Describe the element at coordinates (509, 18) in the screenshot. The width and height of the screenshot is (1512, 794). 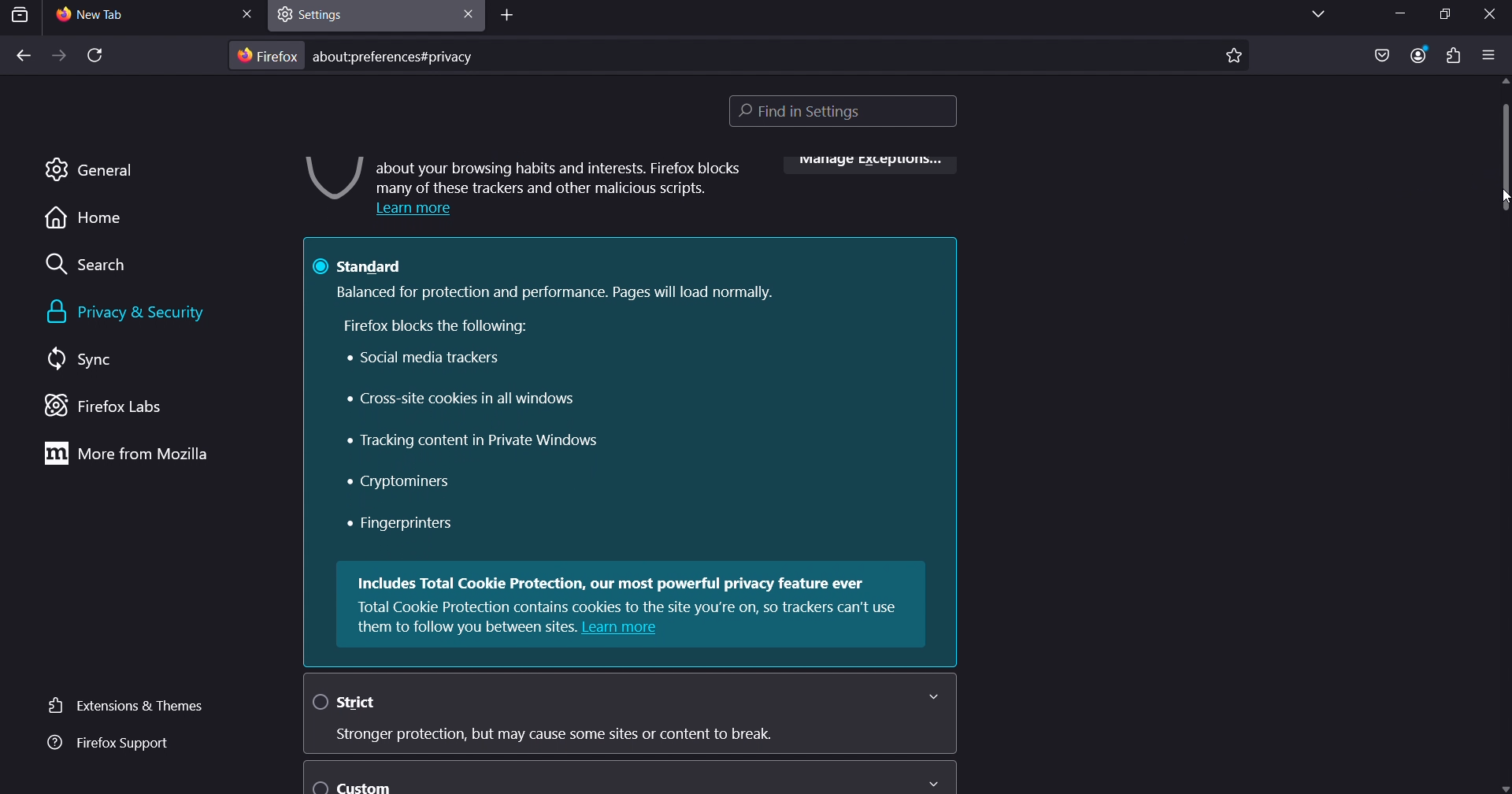
I see `add tab` at that location.